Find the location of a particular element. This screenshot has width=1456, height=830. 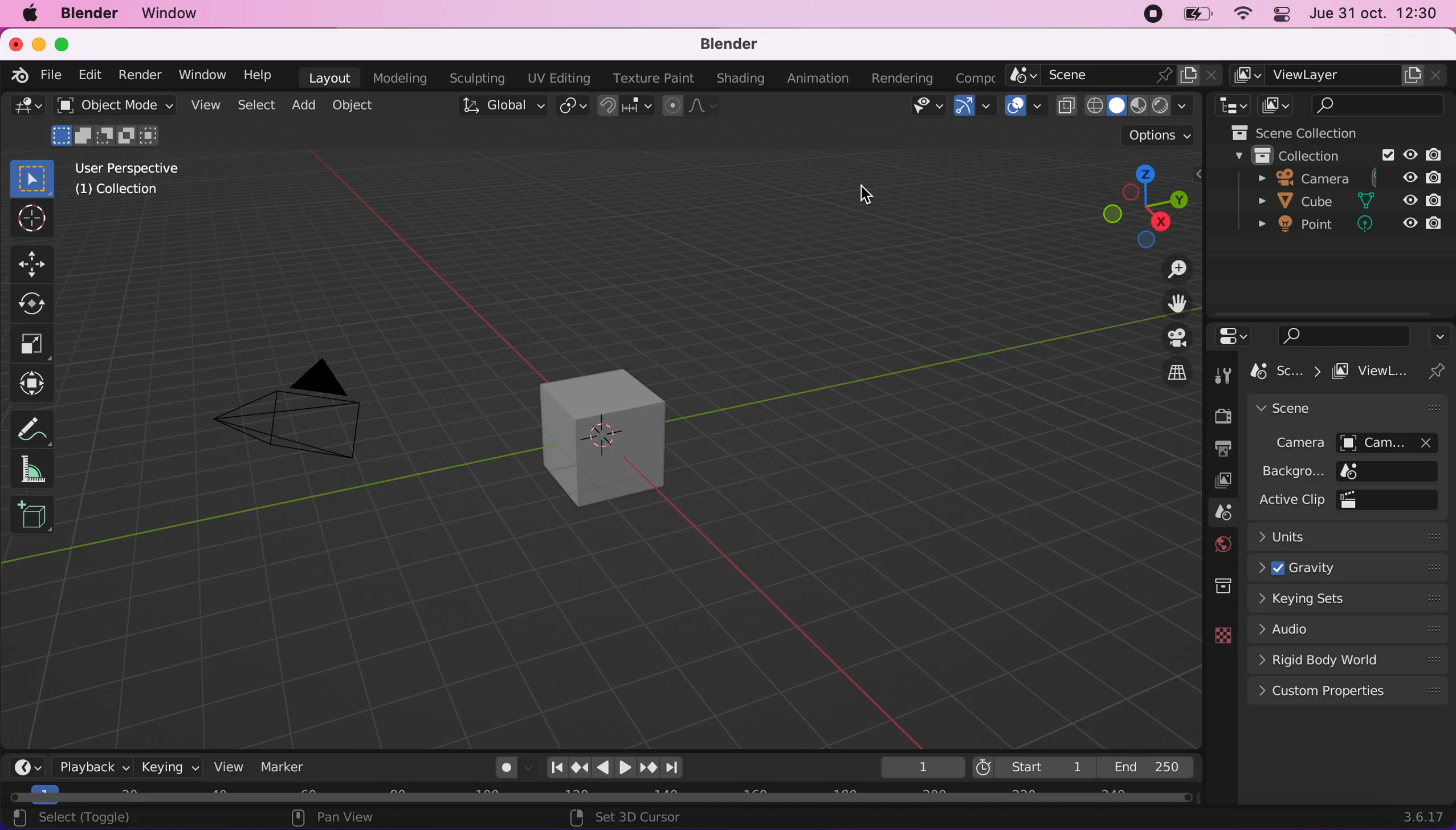

Jump to startpoint is located at coordinates (552, 768).